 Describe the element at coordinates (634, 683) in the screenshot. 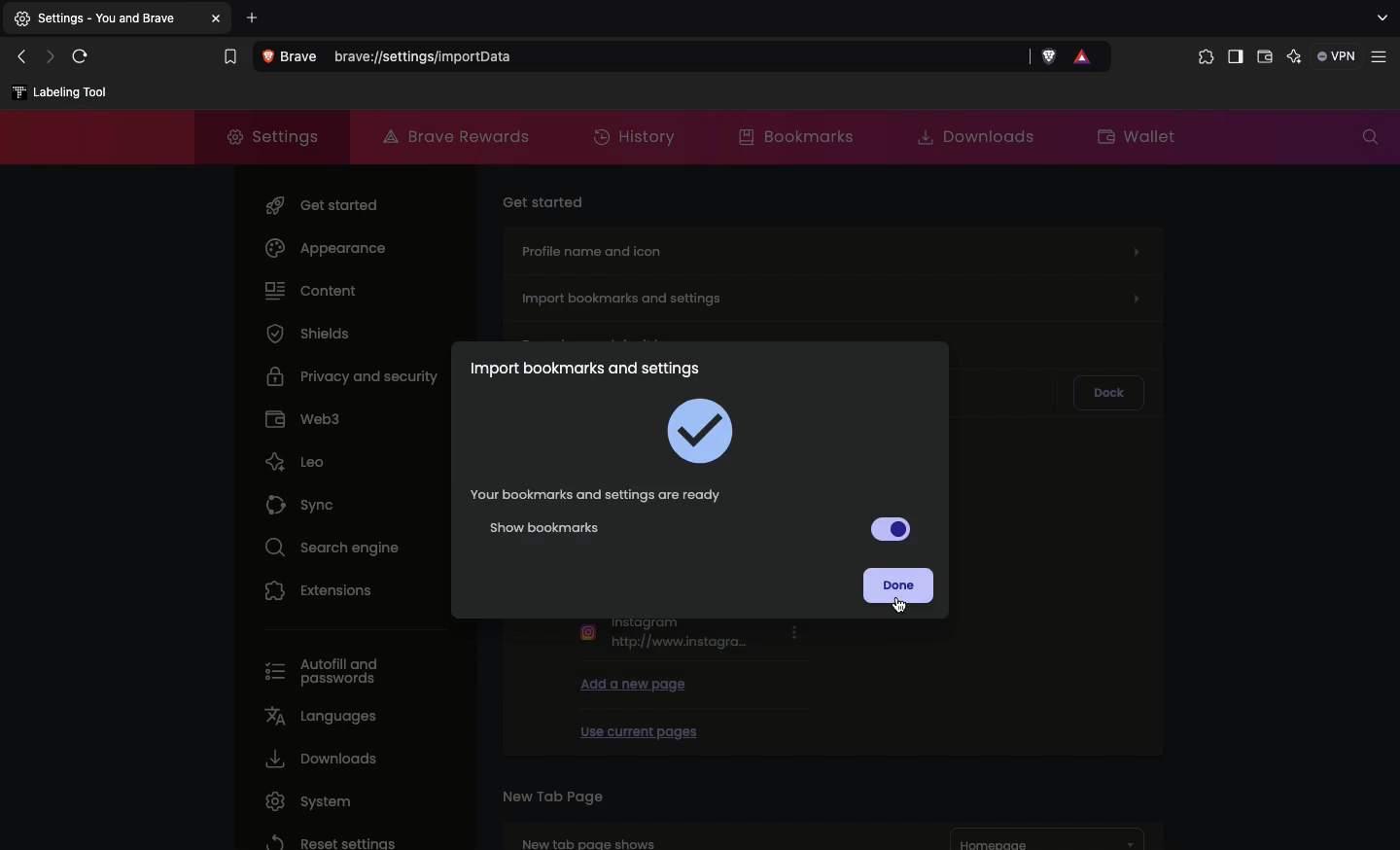

I see `Add a new page` at that location.